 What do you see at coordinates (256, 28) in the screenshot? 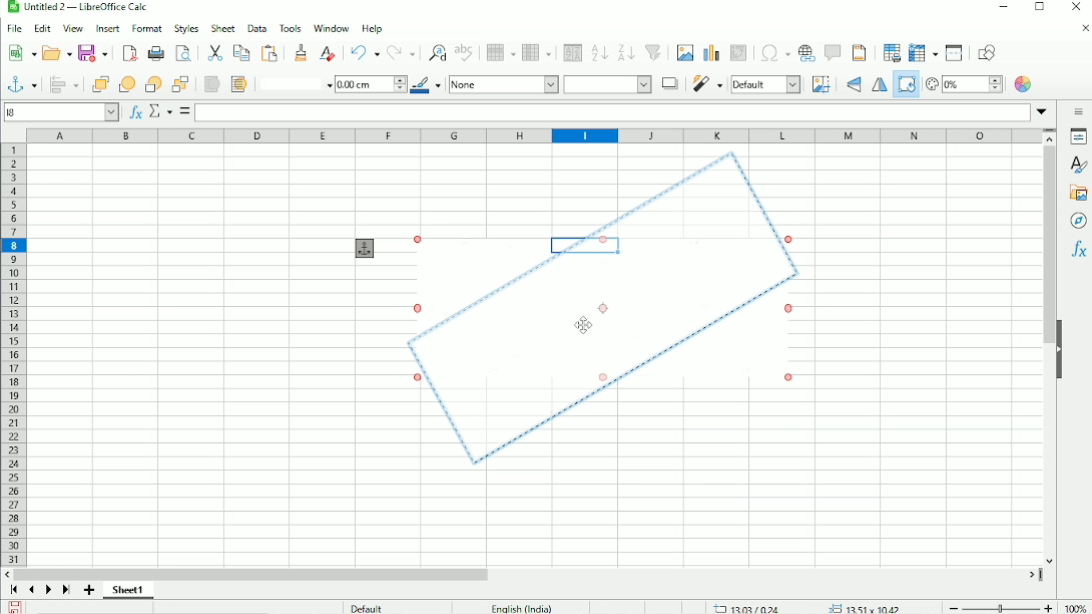
I see `Data` at bounding box center [256, 28].